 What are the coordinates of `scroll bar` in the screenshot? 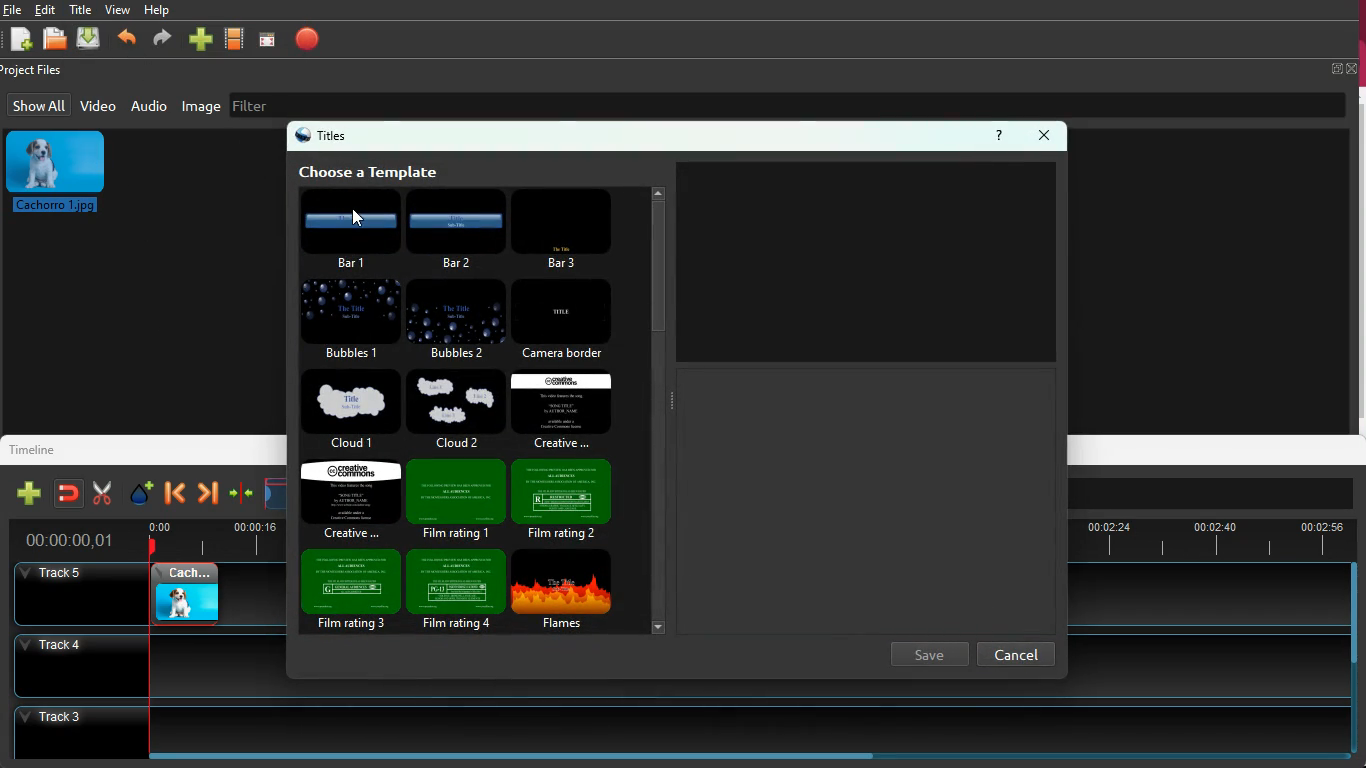 It's located at (659, 409).